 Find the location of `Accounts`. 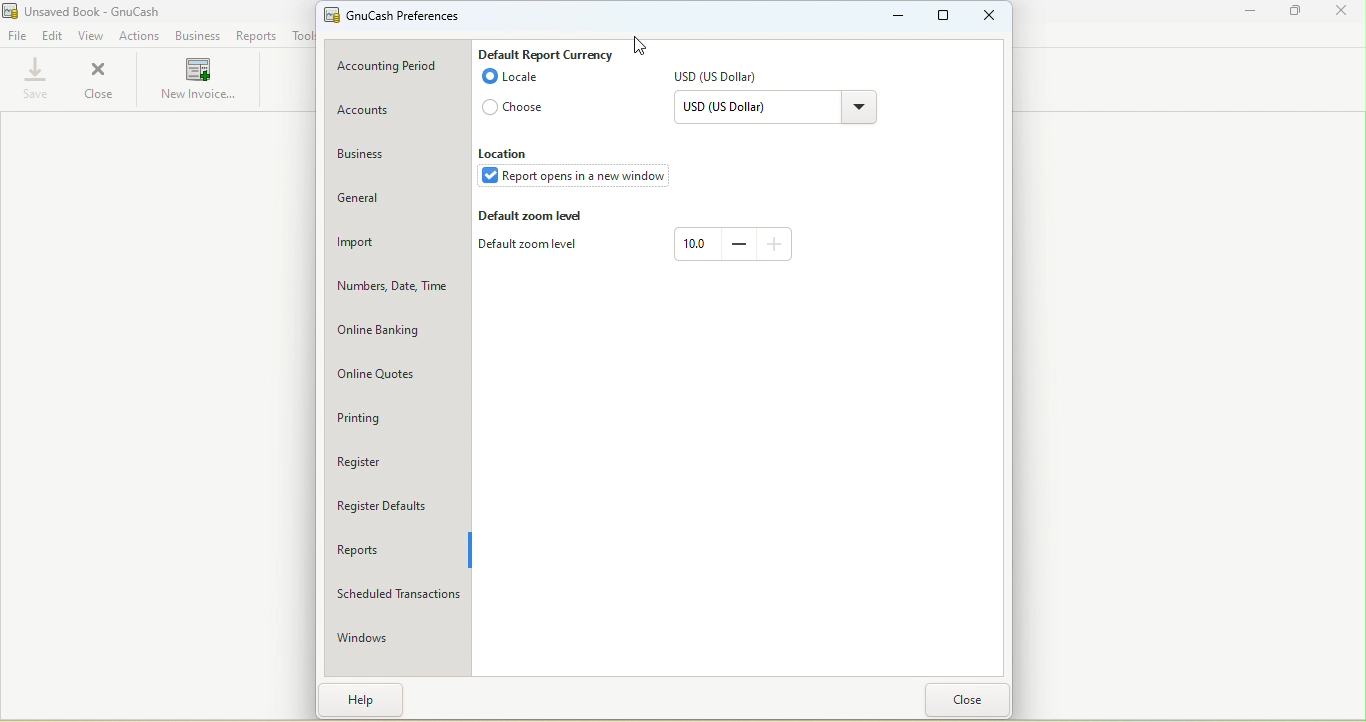

Accounts is located at coordinates (395, 111).